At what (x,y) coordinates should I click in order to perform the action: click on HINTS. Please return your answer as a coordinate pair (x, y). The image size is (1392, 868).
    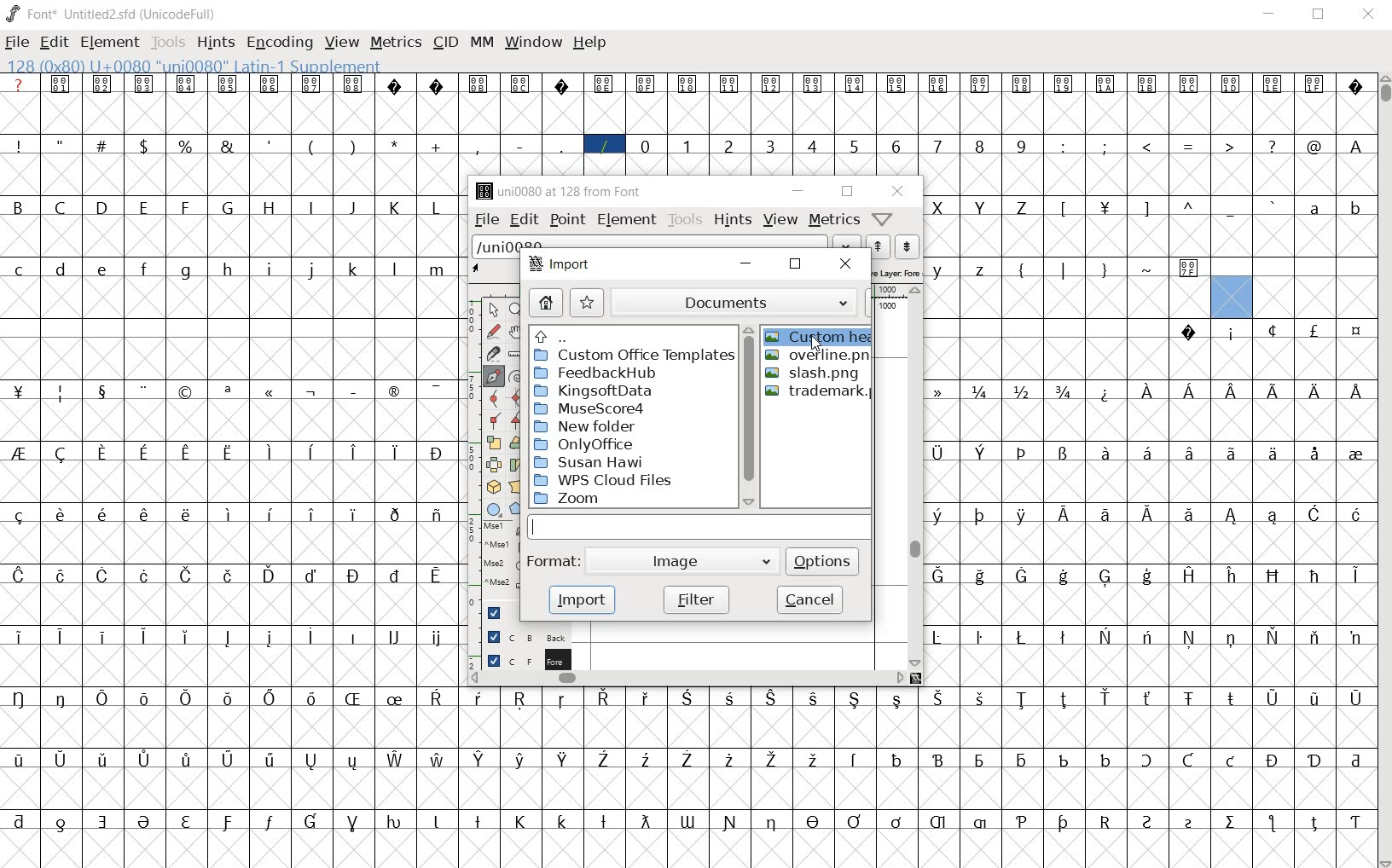
    Looking at the image, I should click on (214, 42).